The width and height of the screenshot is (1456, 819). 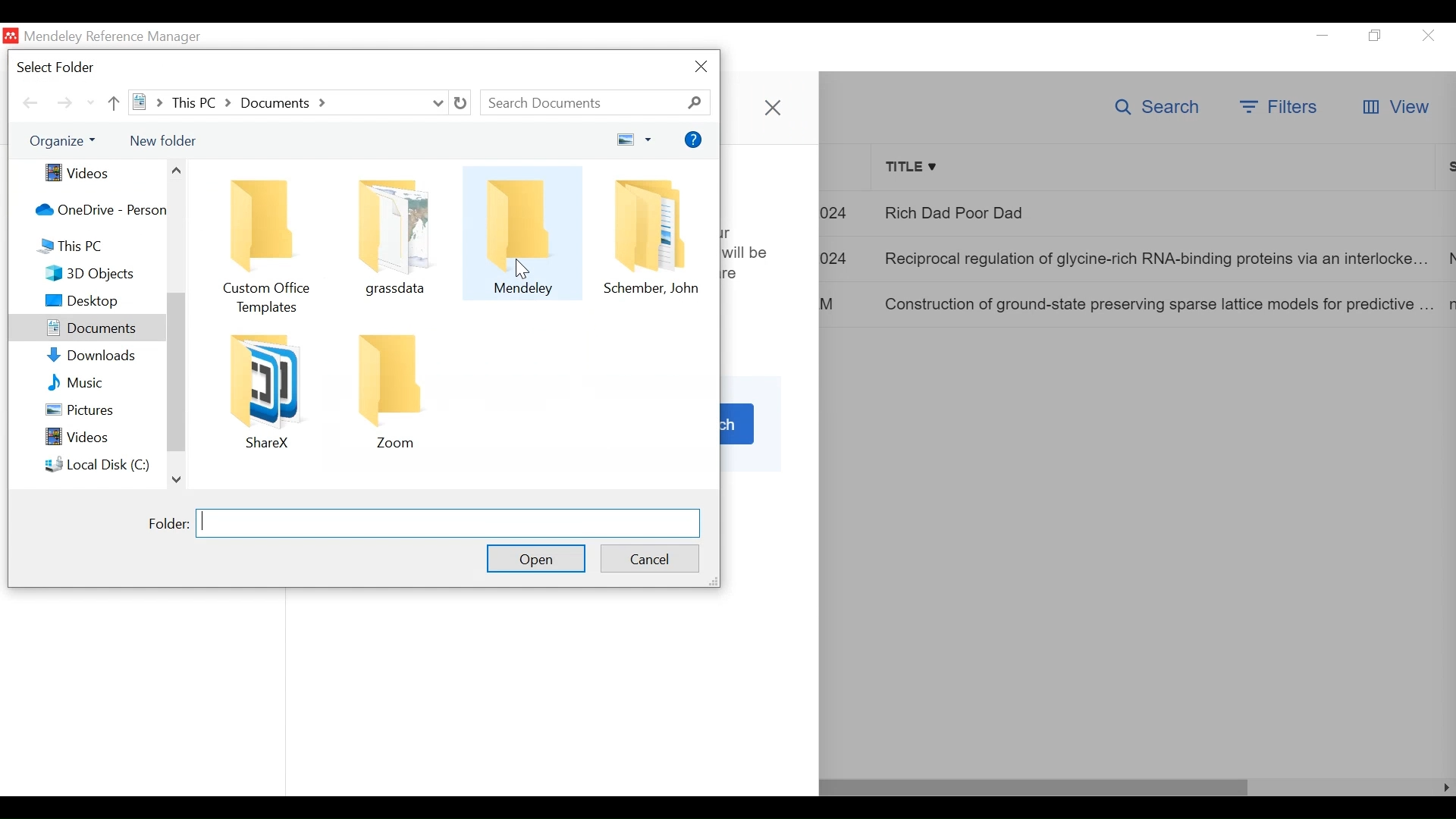 I want to click on 3D Object, so click(x=97, y=275).